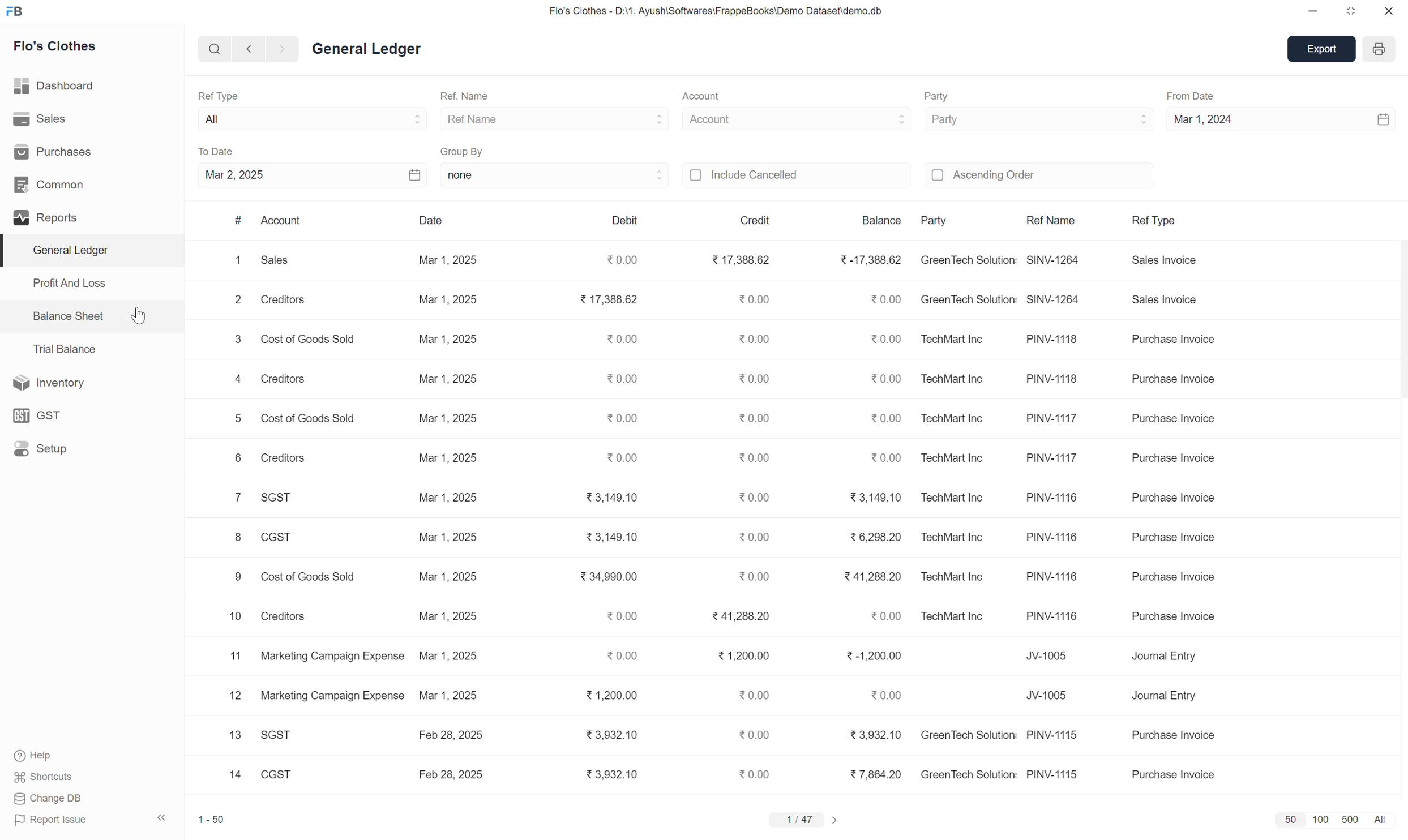  Describe the element at coordinates (74, 282) in the screenshot. I see `Profit And Loss` at that location.